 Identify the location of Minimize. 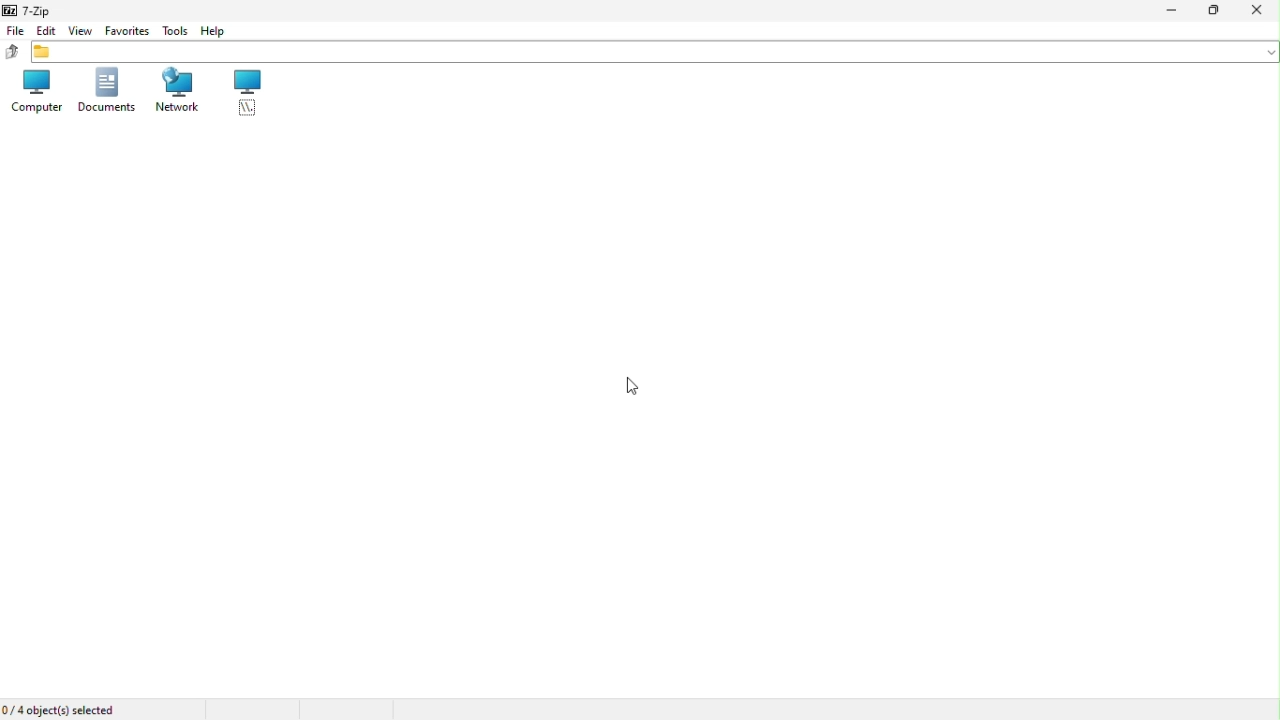
(1169, 12).